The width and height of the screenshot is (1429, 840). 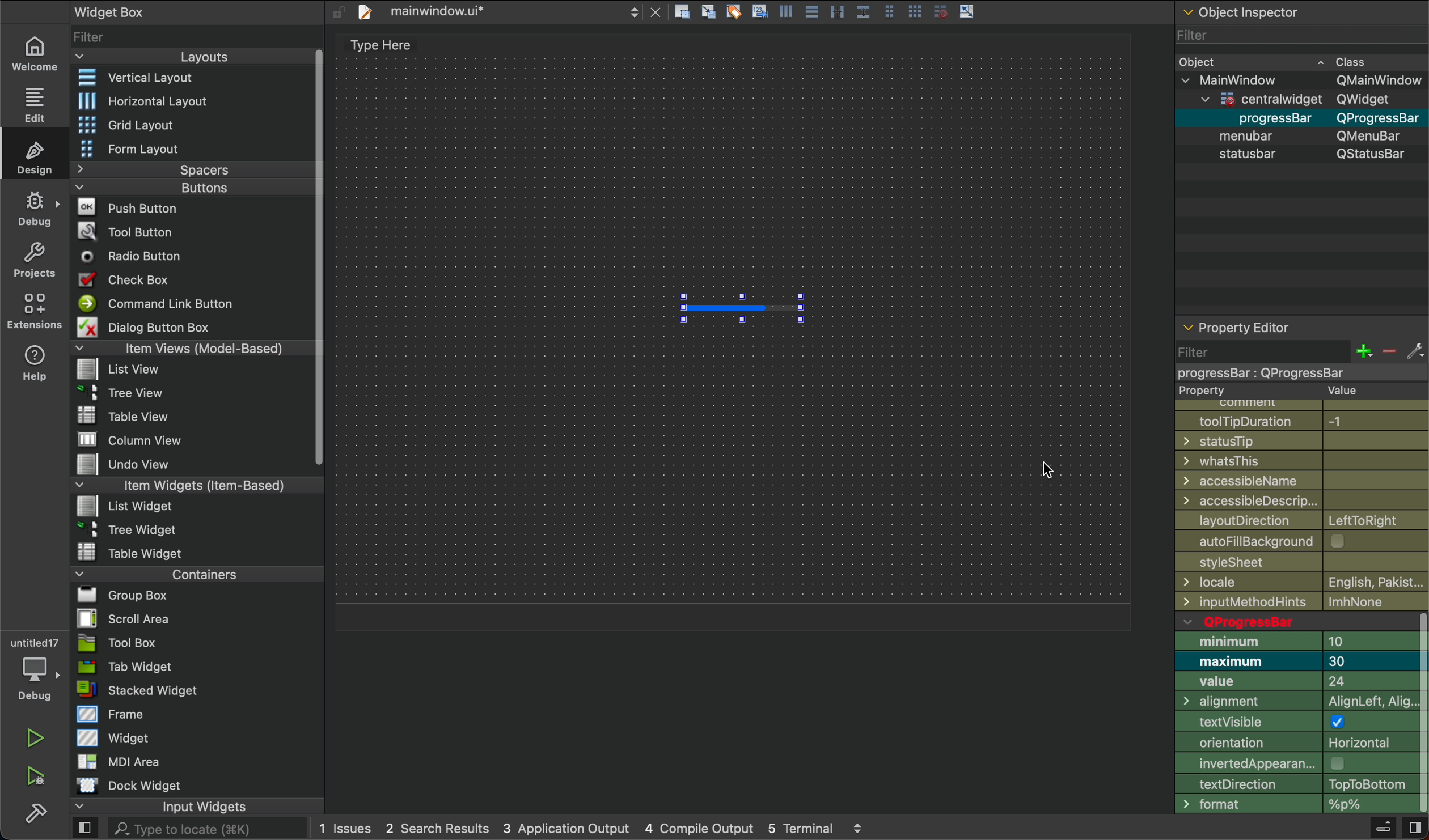 What do you see at coordinates (1292, 805) in the screenshot?
I see `format` at bounding box center [1292, 805].